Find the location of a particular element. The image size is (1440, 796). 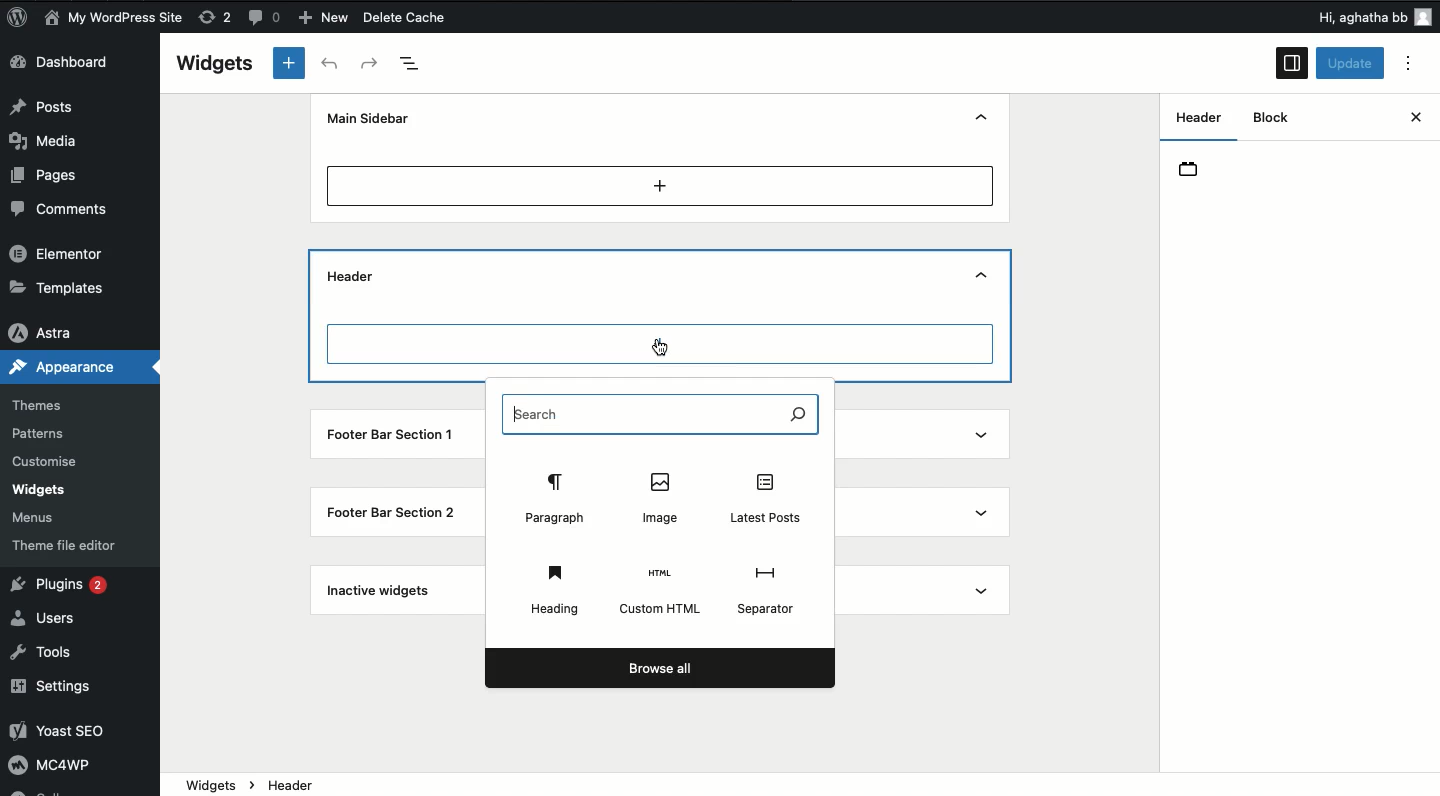

Settings is located at coordinates (62, 686).